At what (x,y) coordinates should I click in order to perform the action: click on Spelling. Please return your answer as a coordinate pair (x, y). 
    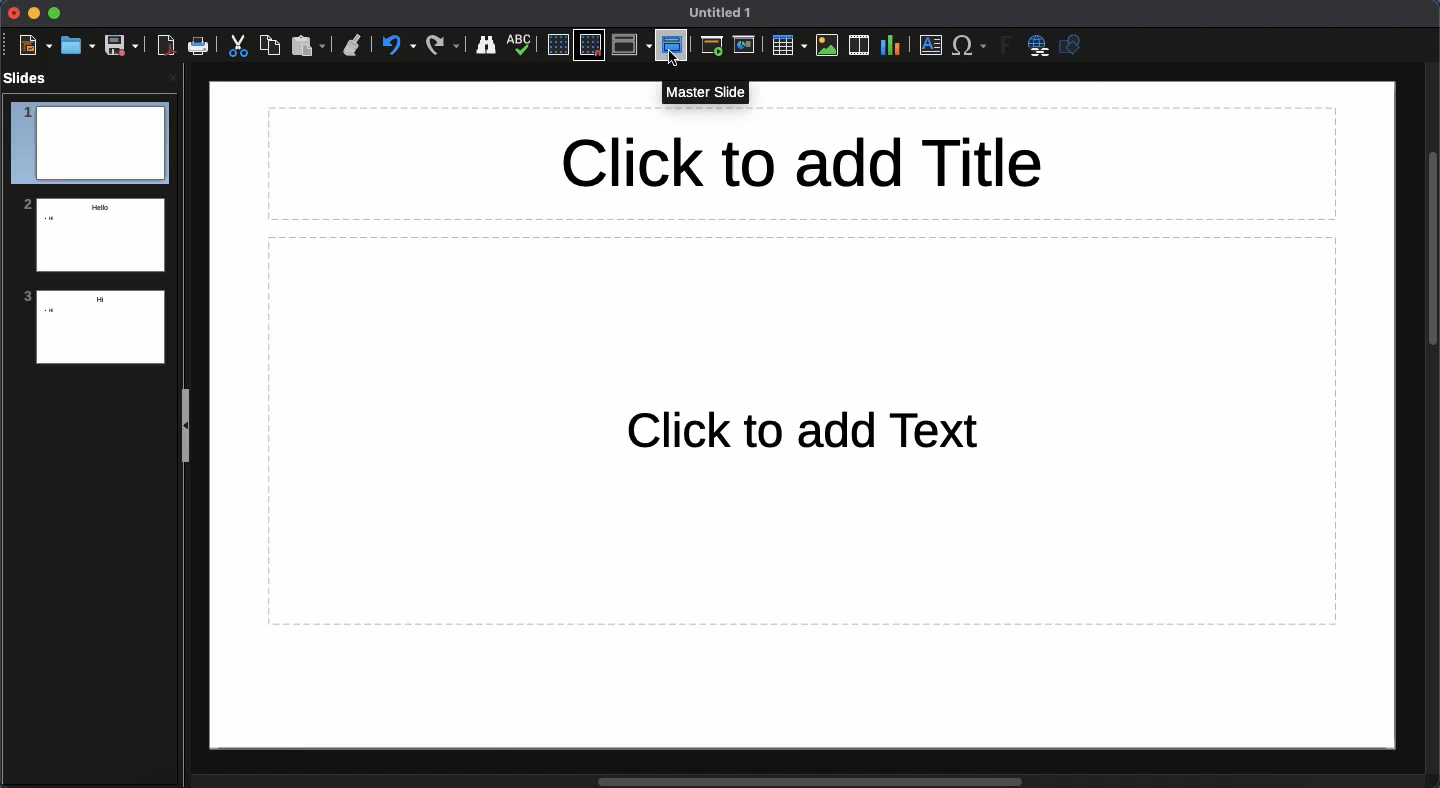
    Looking at the image, I should click on (522, 43).